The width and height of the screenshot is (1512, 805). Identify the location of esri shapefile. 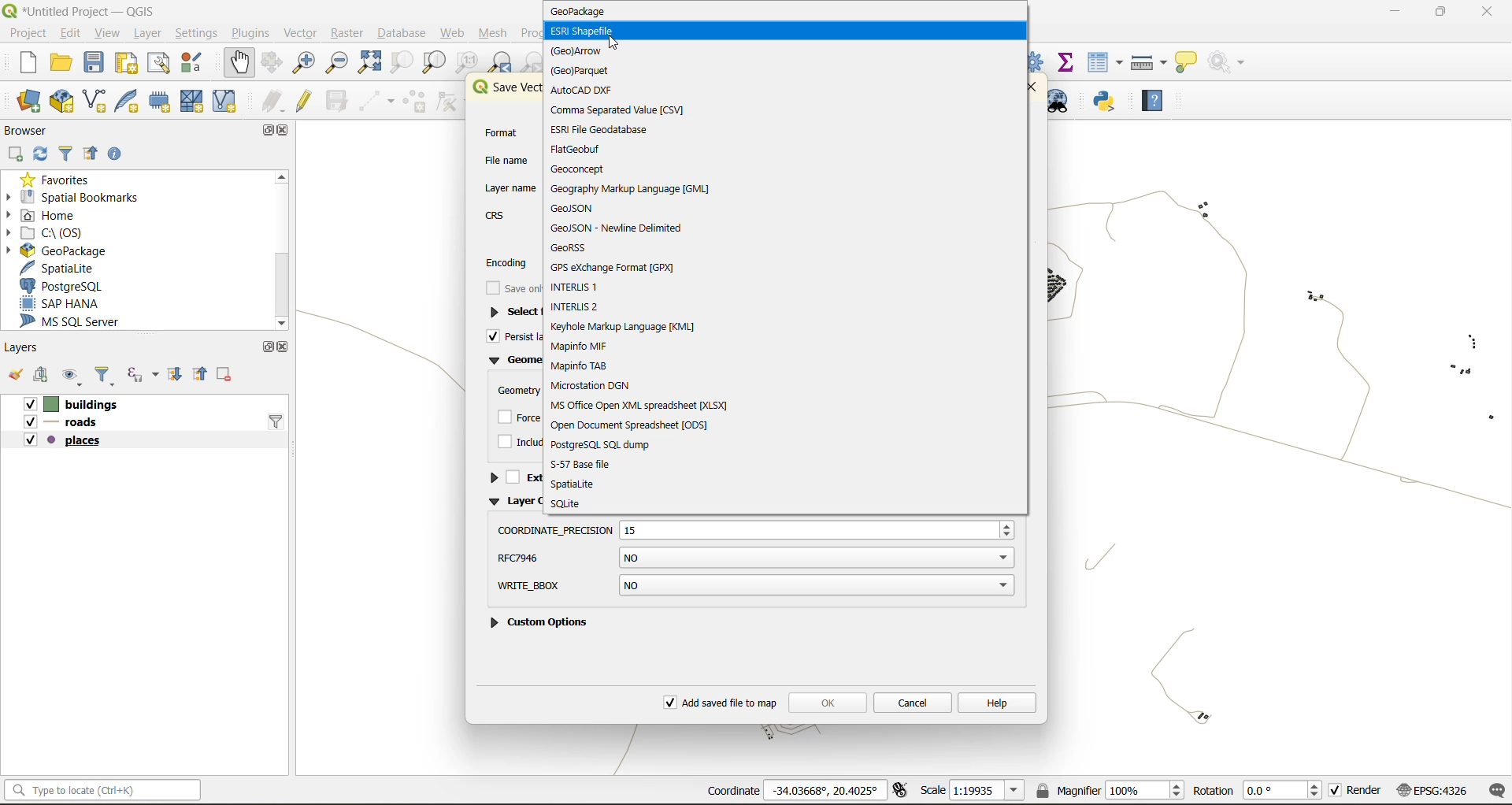
(591, 33).